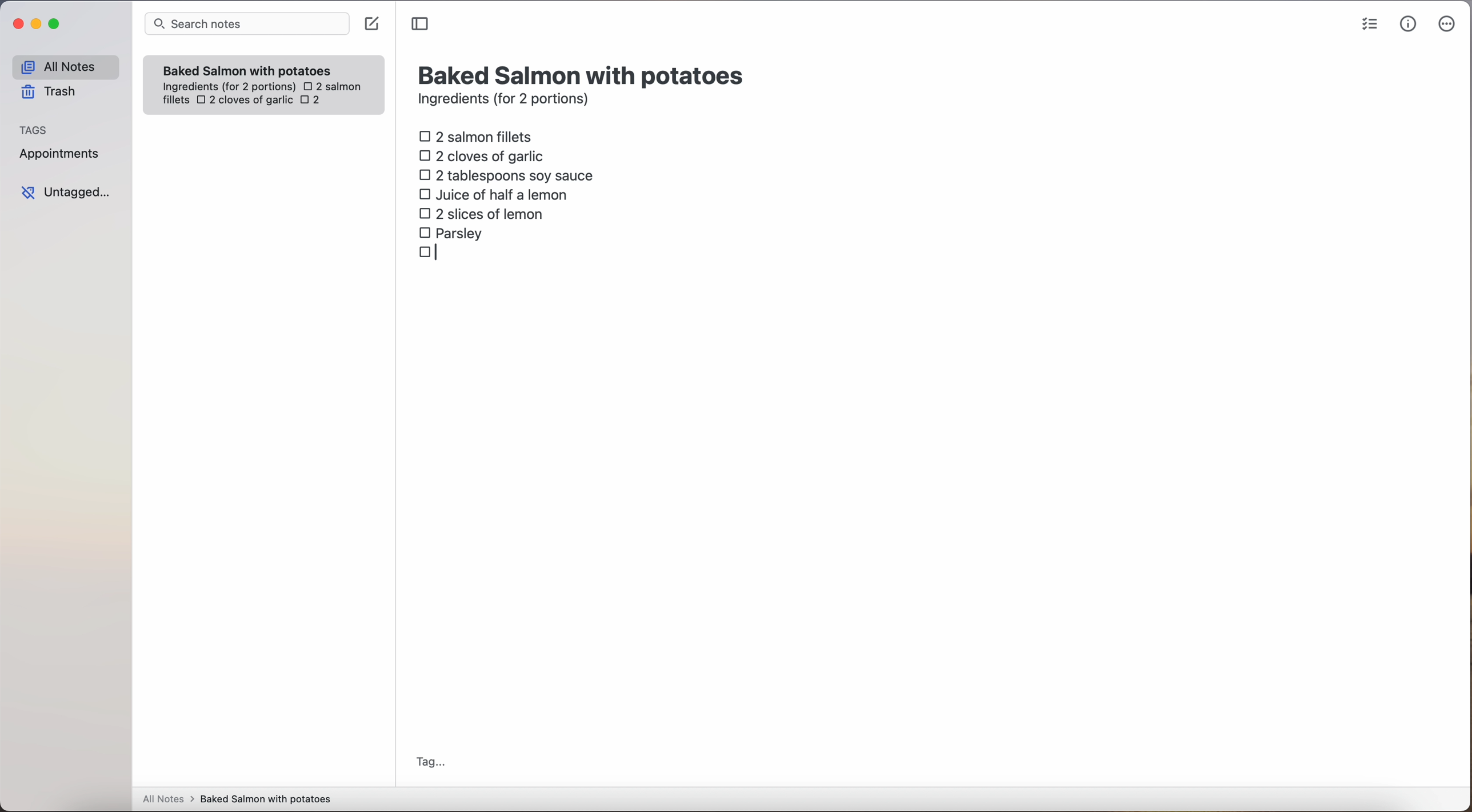 This screenshot has width=1472, height=812. I want to click on check list, so click(1370, 25).